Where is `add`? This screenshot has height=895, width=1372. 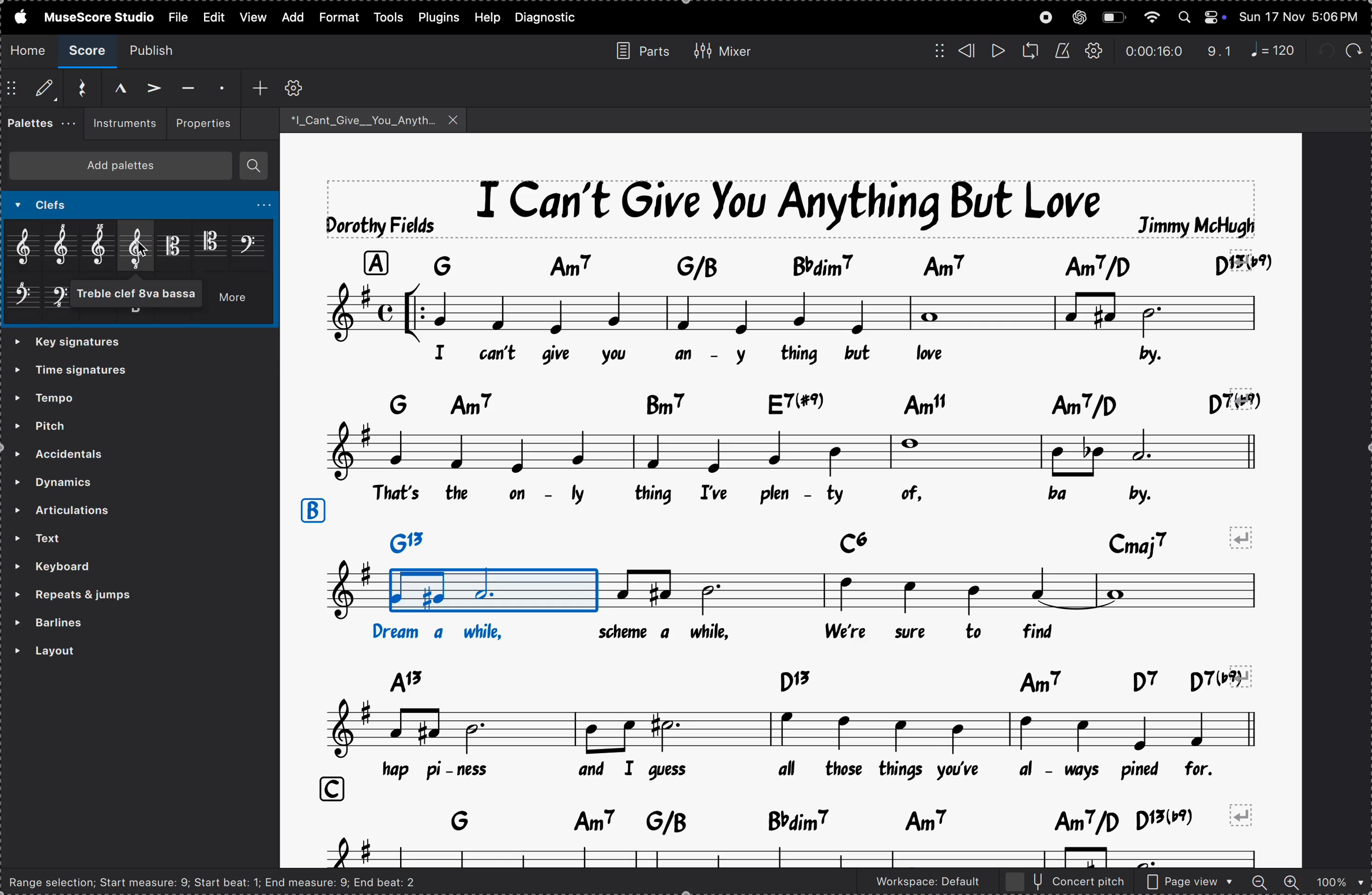
add is located at coordinates (260, 87).